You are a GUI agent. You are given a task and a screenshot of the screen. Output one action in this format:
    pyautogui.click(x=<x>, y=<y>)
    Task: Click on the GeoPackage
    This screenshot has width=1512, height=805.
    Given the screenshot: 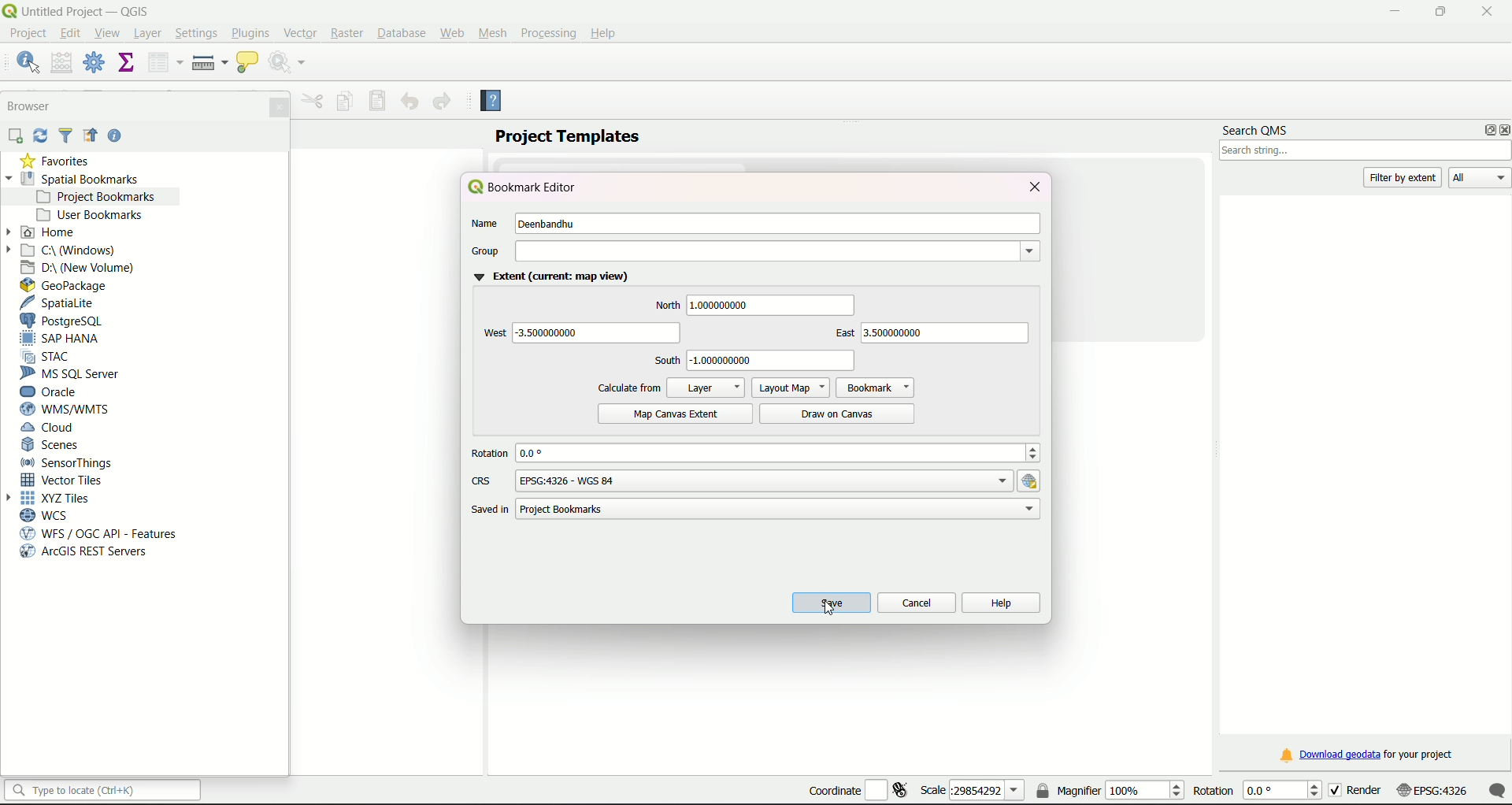 What is the action you would take?
    pyautogui.click(x=65, y=286)
    